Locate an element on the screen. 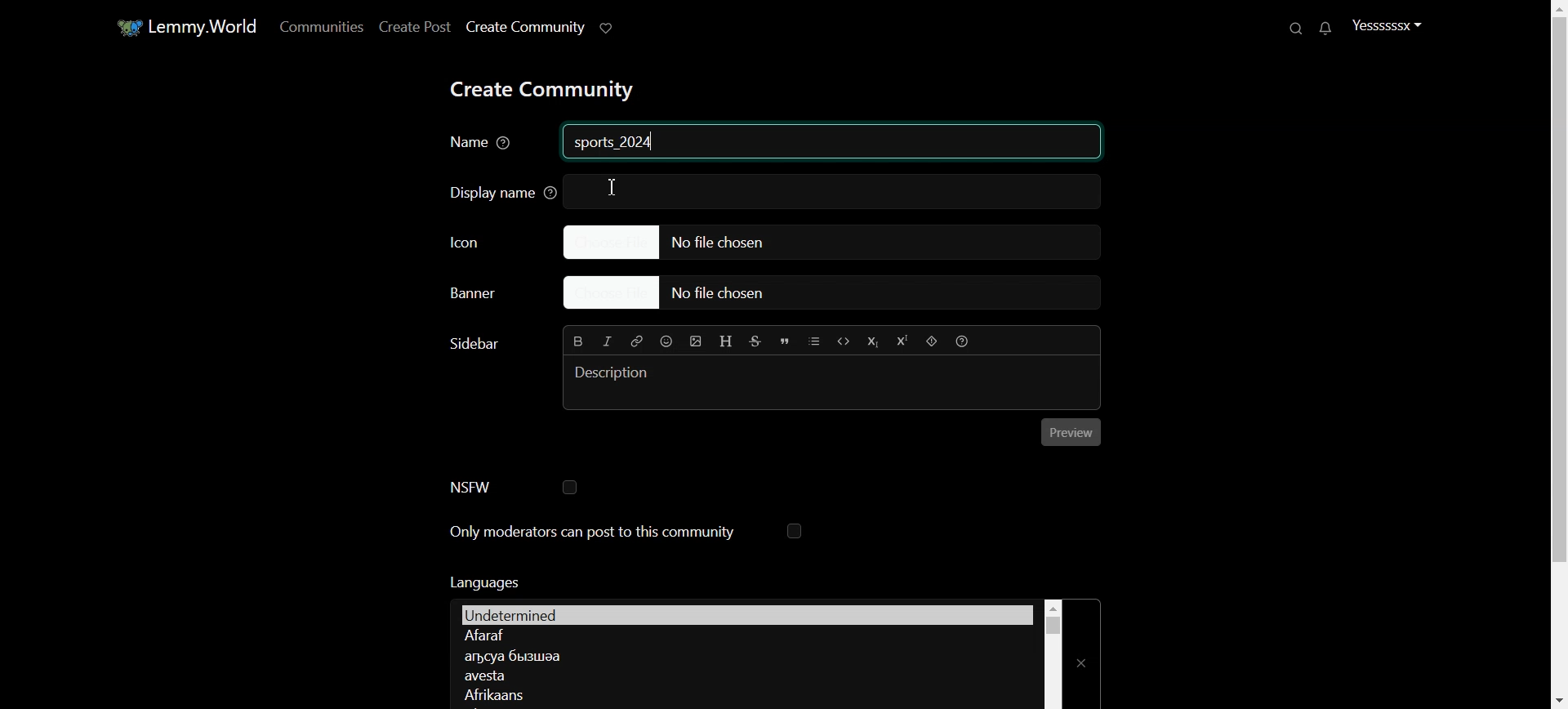 The height and width of the screenshot is (709, 1568). Formatting Help is located at coordinates (961, 341).